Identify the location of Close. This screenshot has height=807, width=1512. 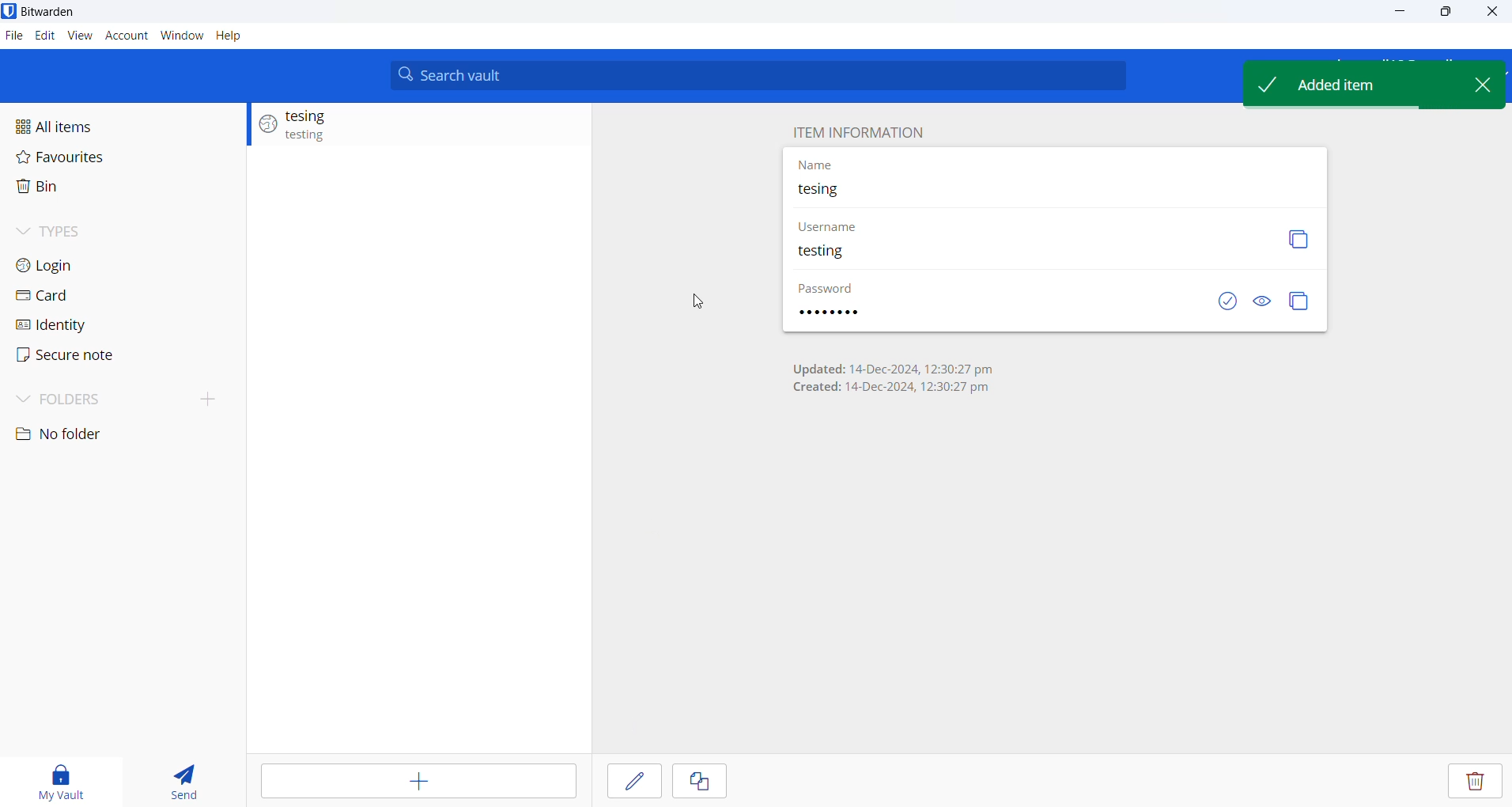
(1494, 14).